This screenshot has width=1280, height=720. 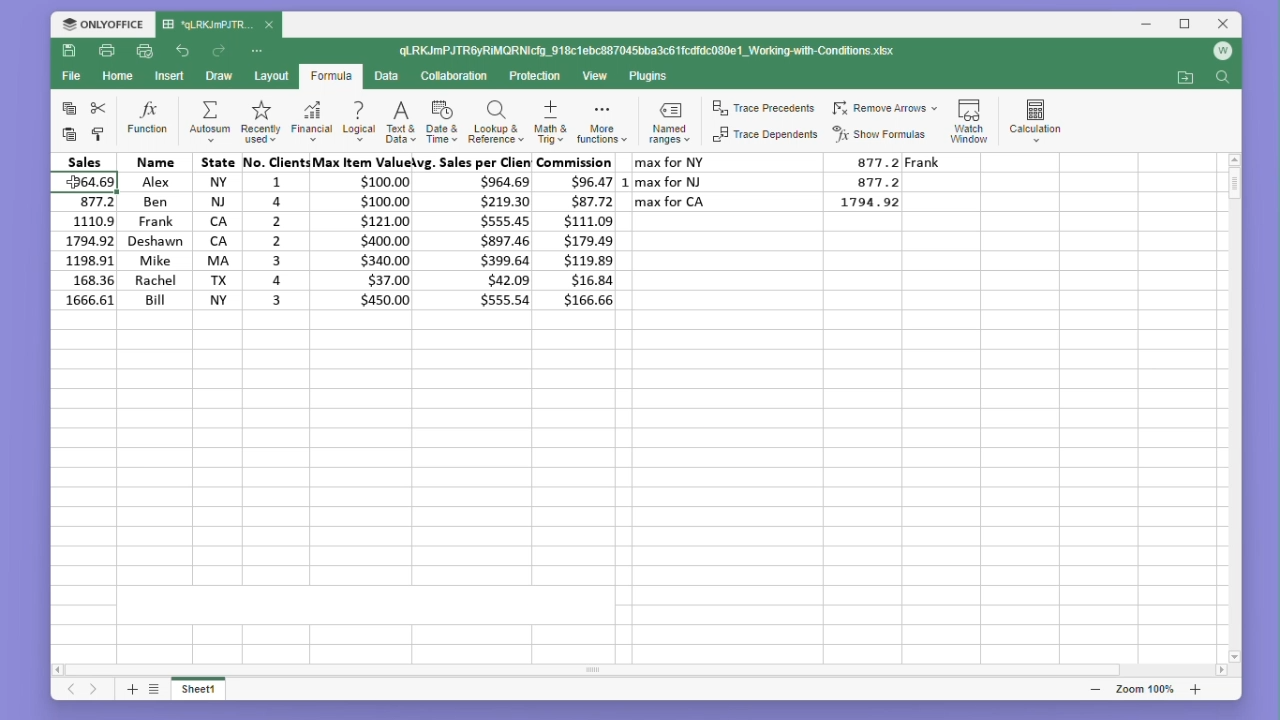 What do you see at coordinates (98, 135) in the screenshot?
I see `Format painter` at bounding box center [98, 135].